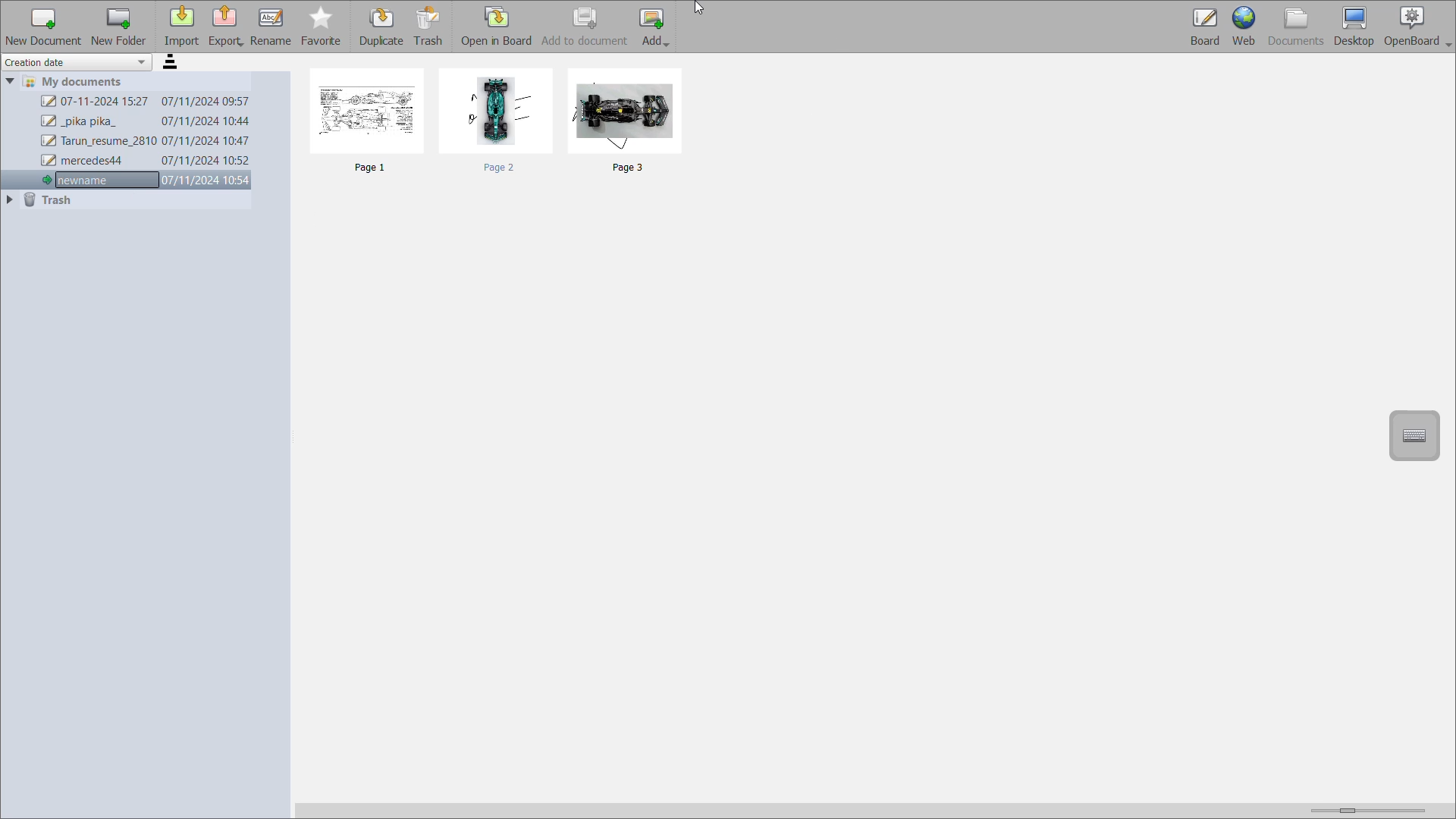 This screenshot has height=819, width=1456. I want to click on _pika pika_ 07/11/2024 10:44, so click(145, 121).